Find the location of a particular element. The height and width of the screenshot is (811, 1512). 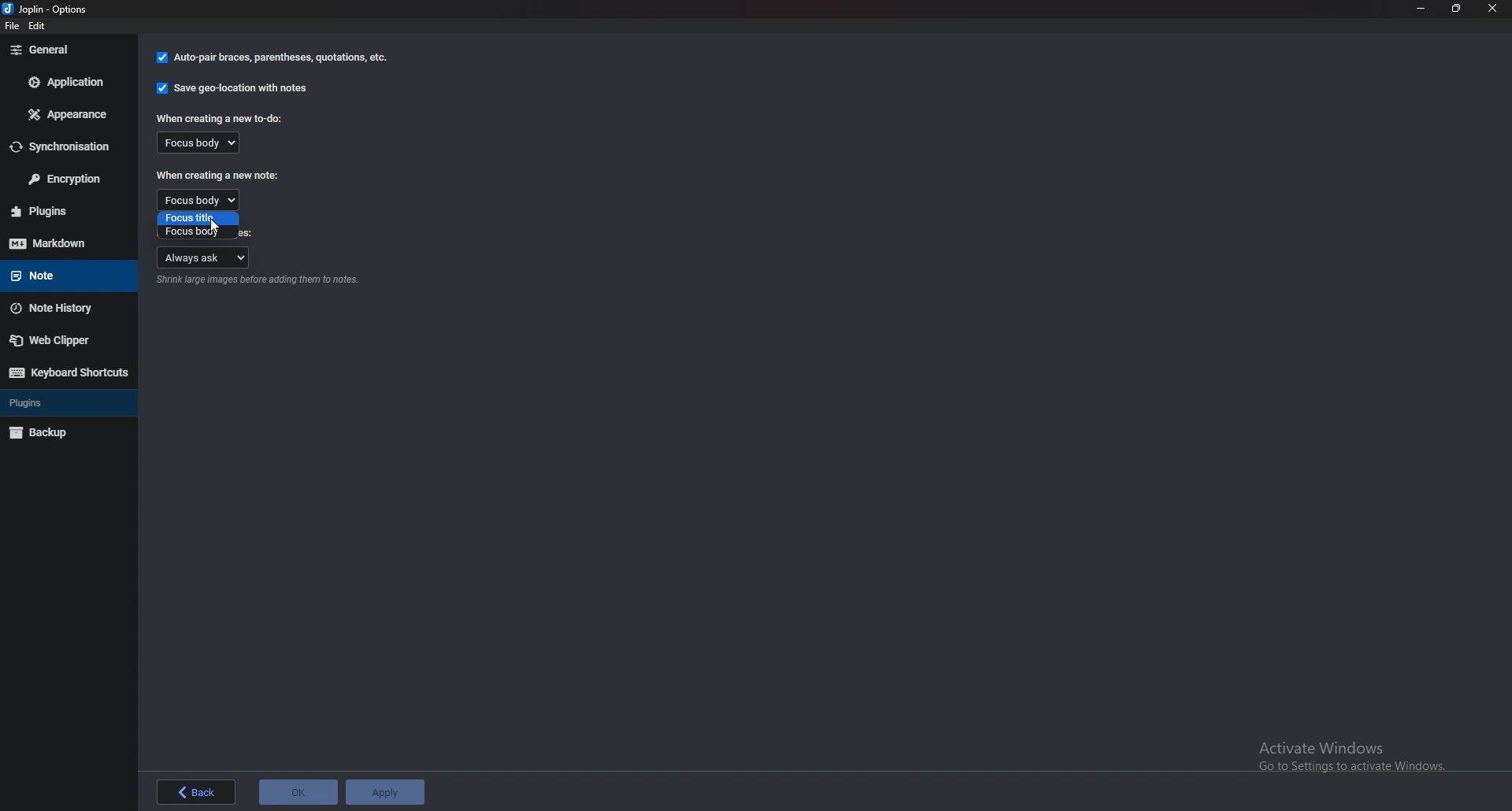

ok is located at coordinates (300, 794).